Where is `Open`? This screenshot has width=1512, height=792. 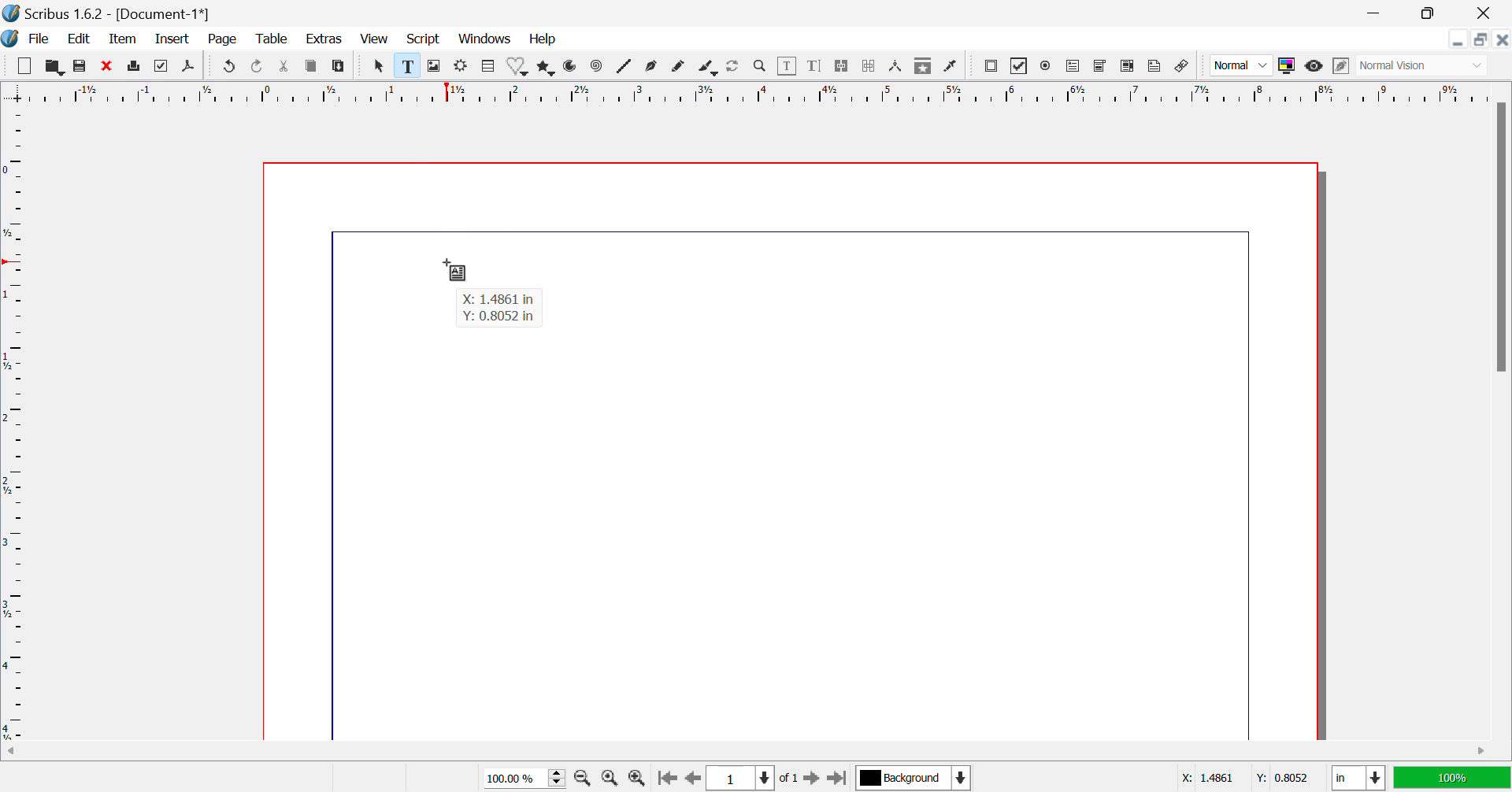
Open is located at coordinates (54, 66).